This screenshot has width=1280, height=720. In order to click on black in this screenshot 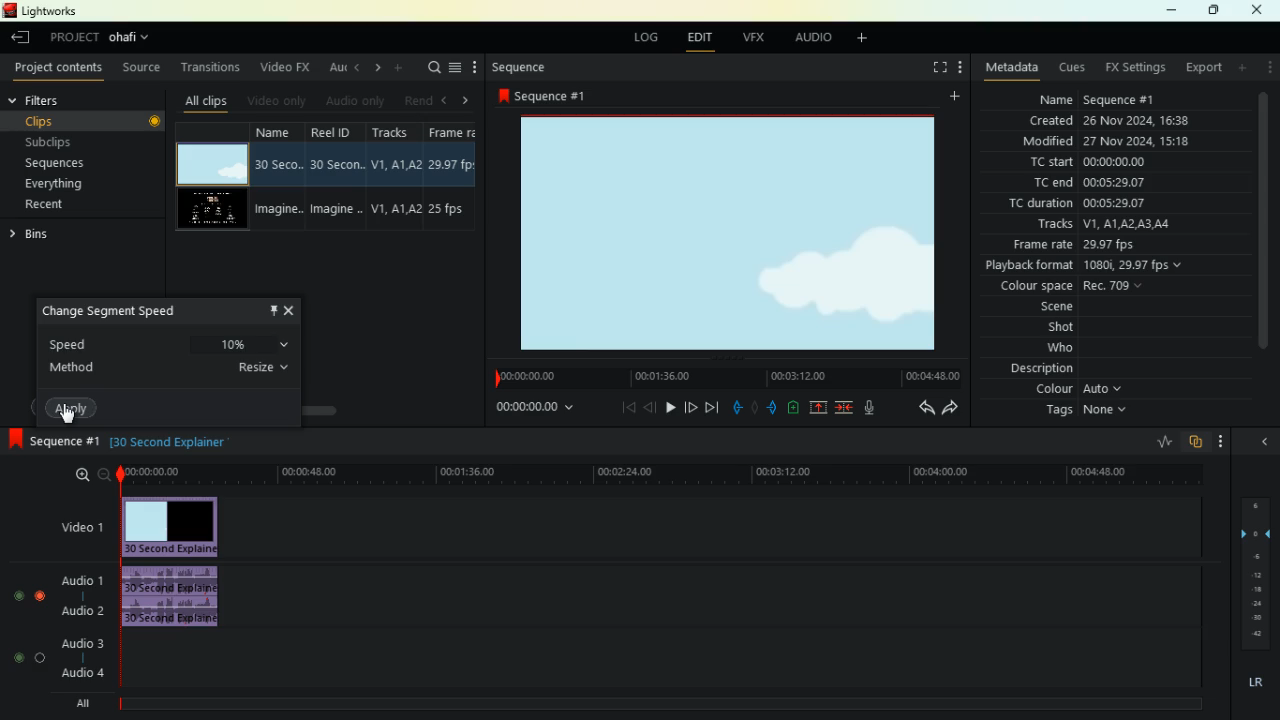, I will do `click(126, 442)`.